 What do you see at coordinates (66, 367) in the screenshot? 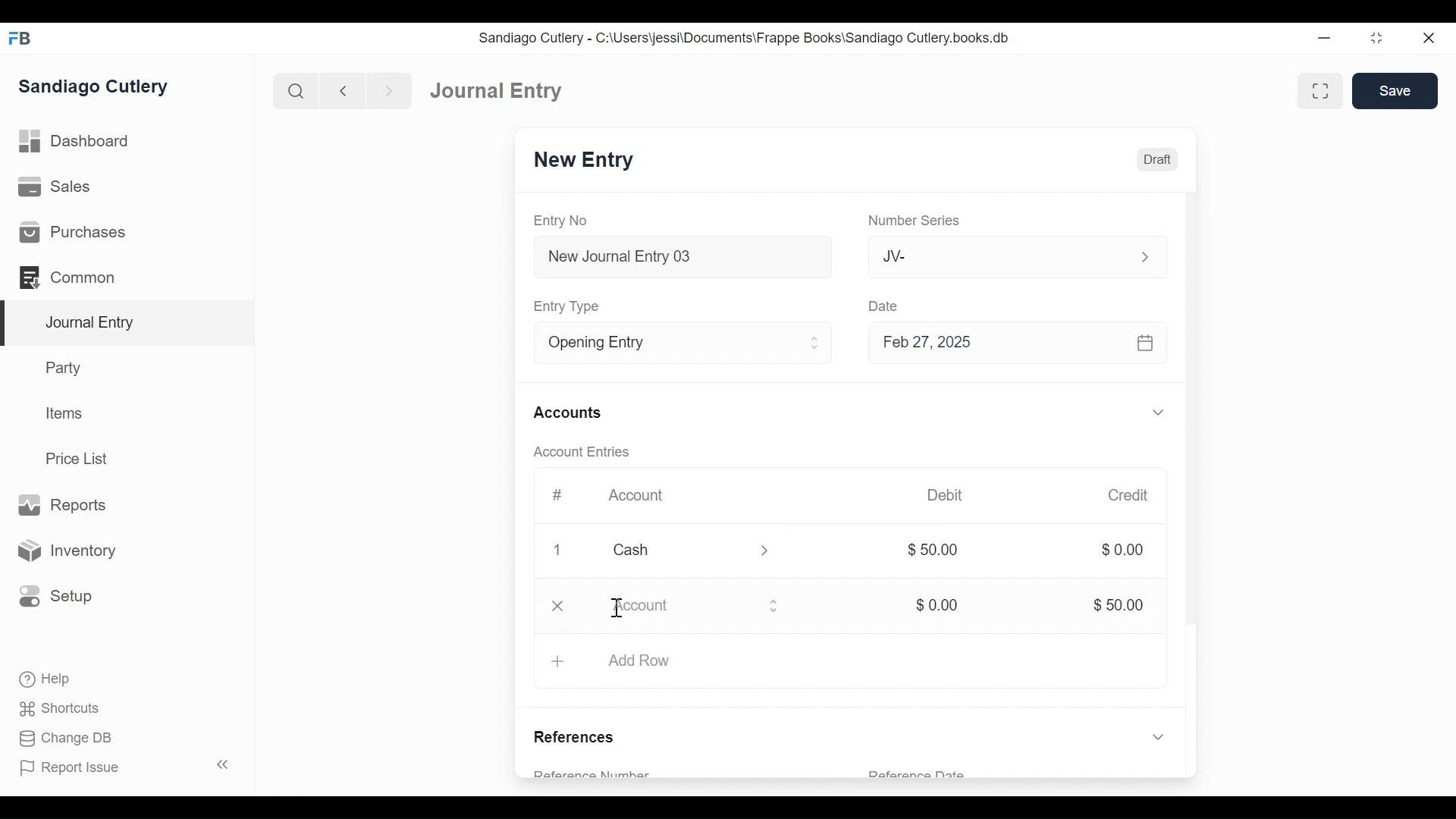
I see `Party` at bounding box center [66, 367].